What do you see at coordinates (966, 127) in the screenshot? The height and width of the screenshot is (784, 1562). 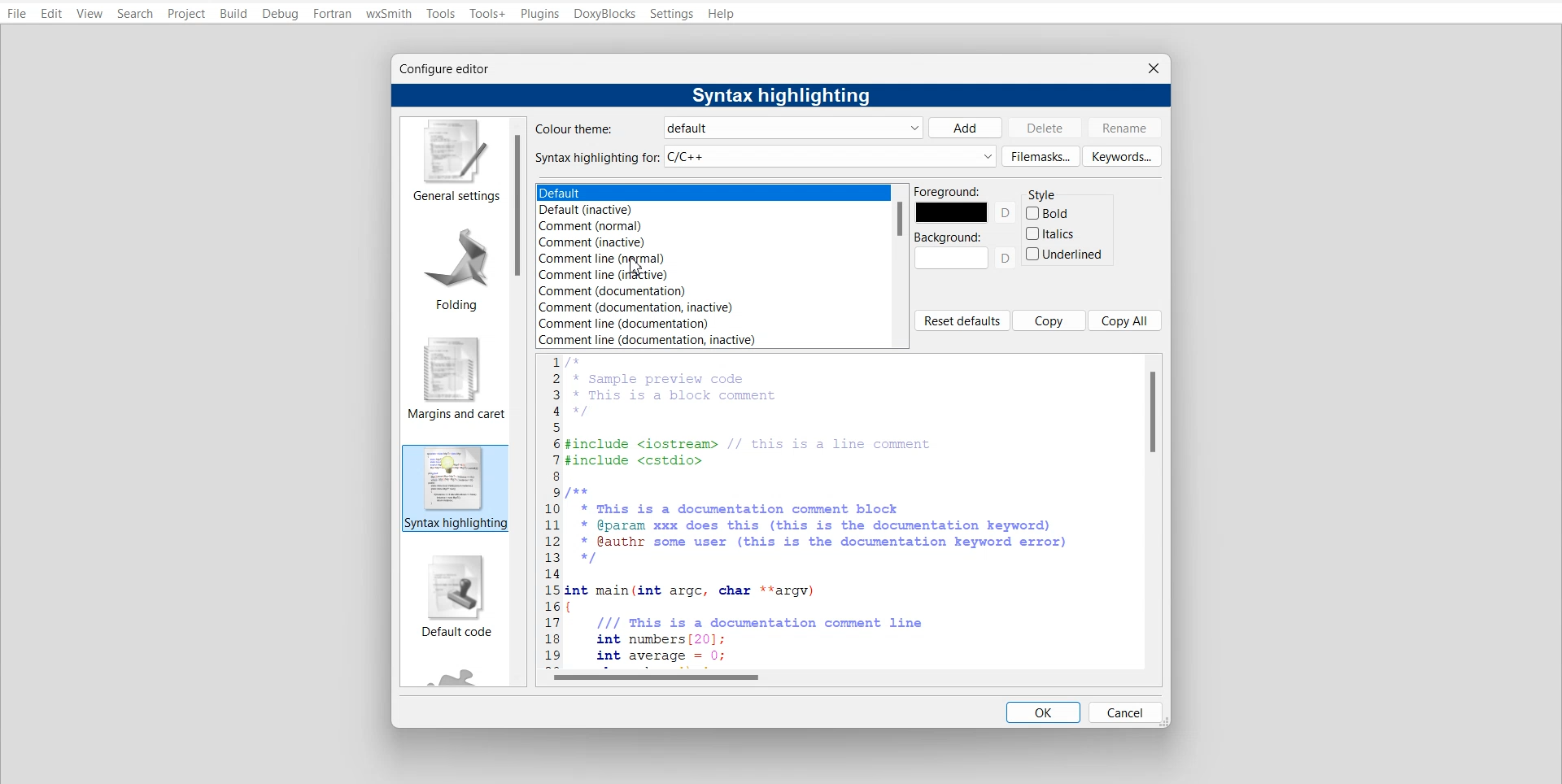 I see `Add` at bounding box center [966, 127].